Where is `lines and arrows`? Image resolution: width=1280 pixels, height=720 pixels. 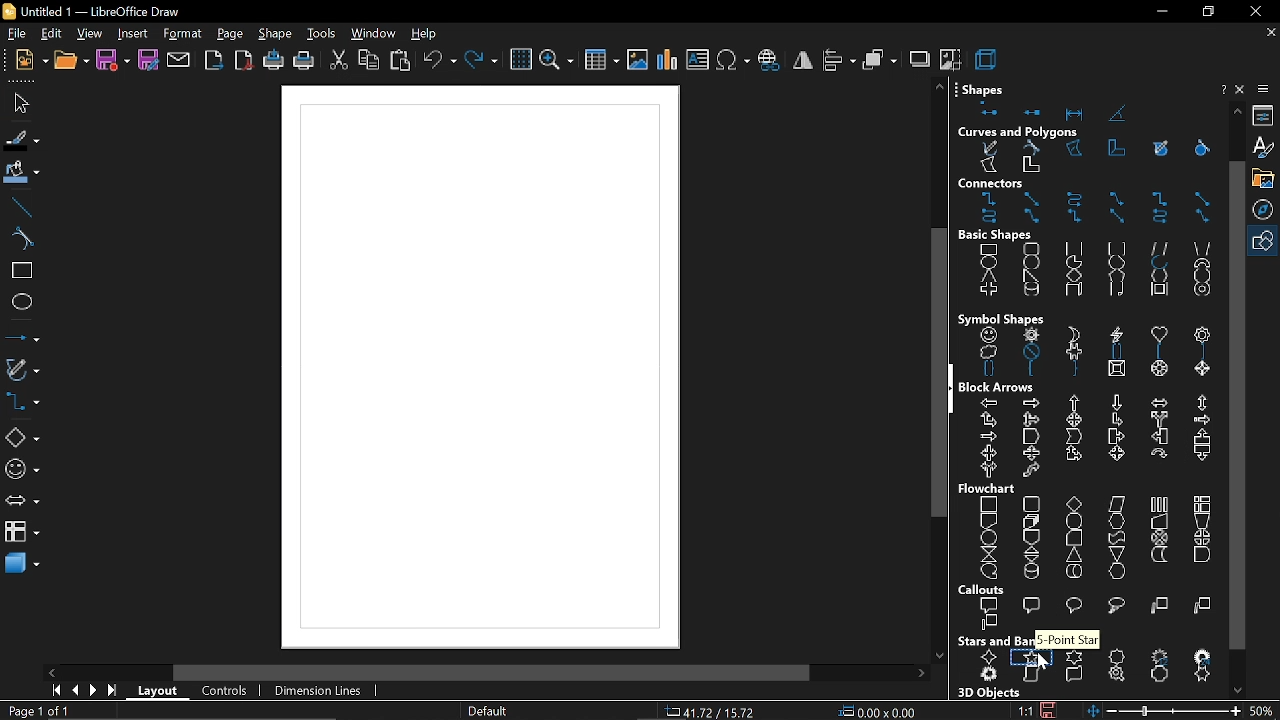 lines and arrows is located at coordinates (22, 340).